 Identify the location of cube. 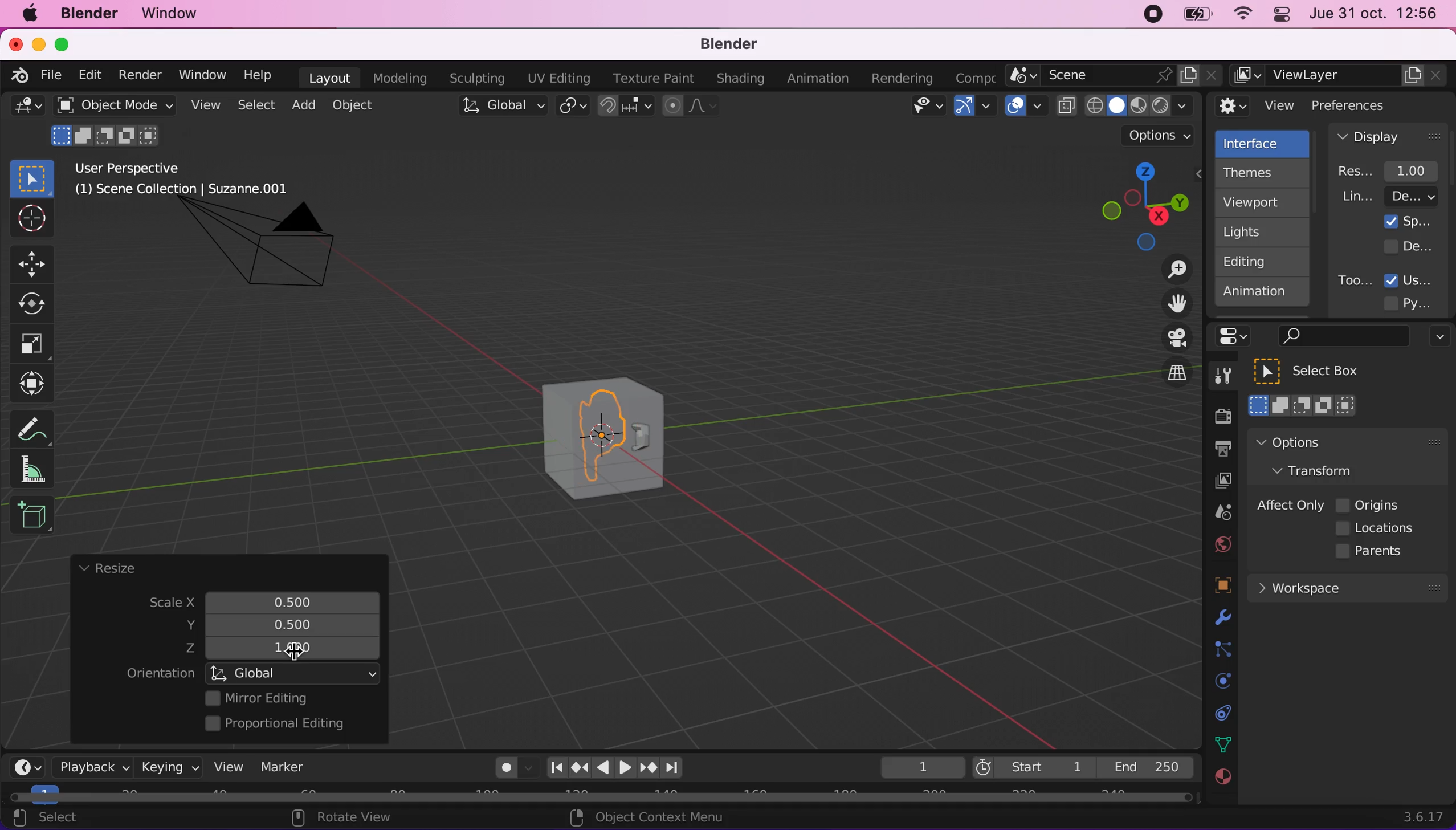
(605, 433).